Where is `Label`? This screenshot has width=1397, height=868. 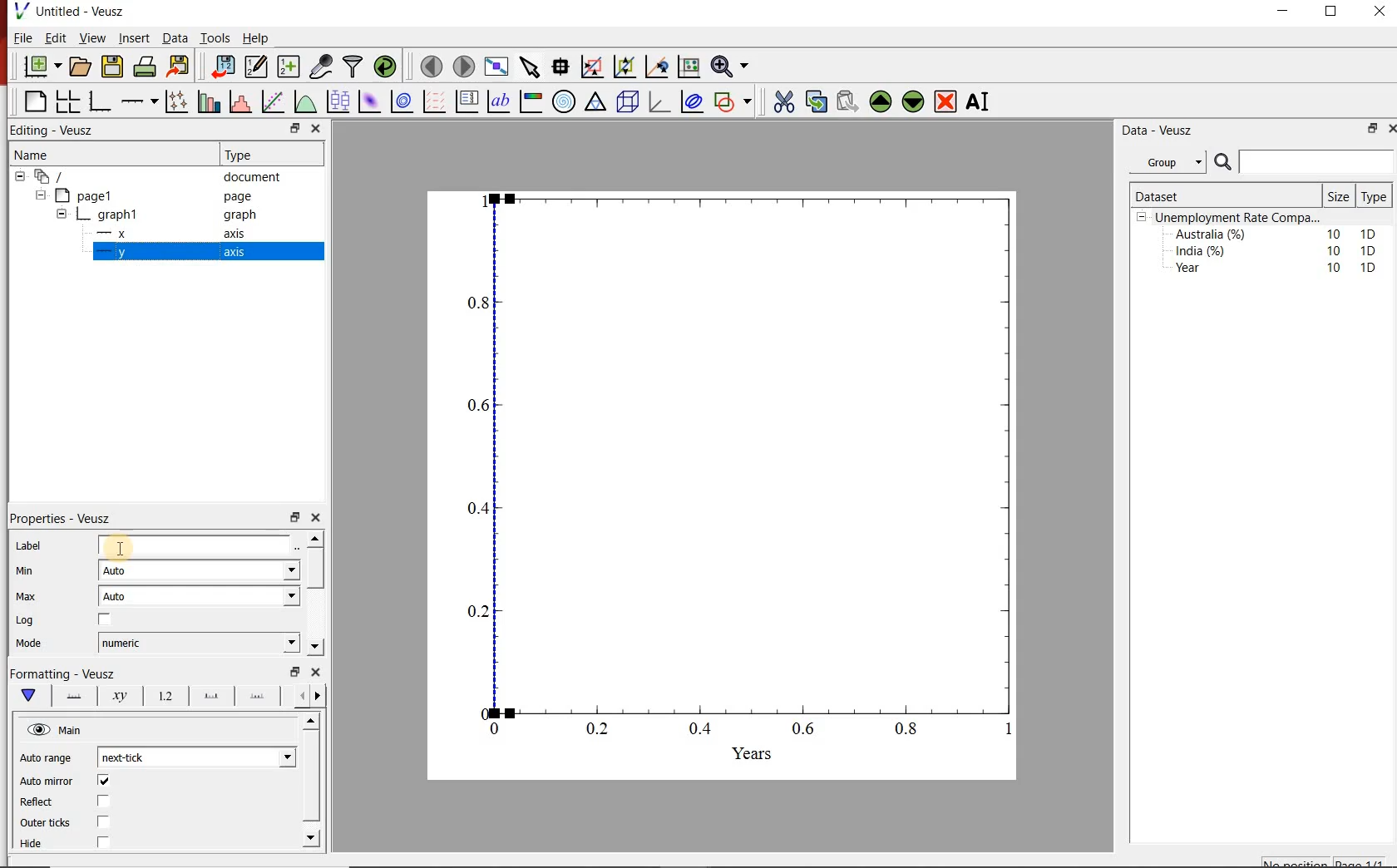
Label is located at coordinates (29, 547).